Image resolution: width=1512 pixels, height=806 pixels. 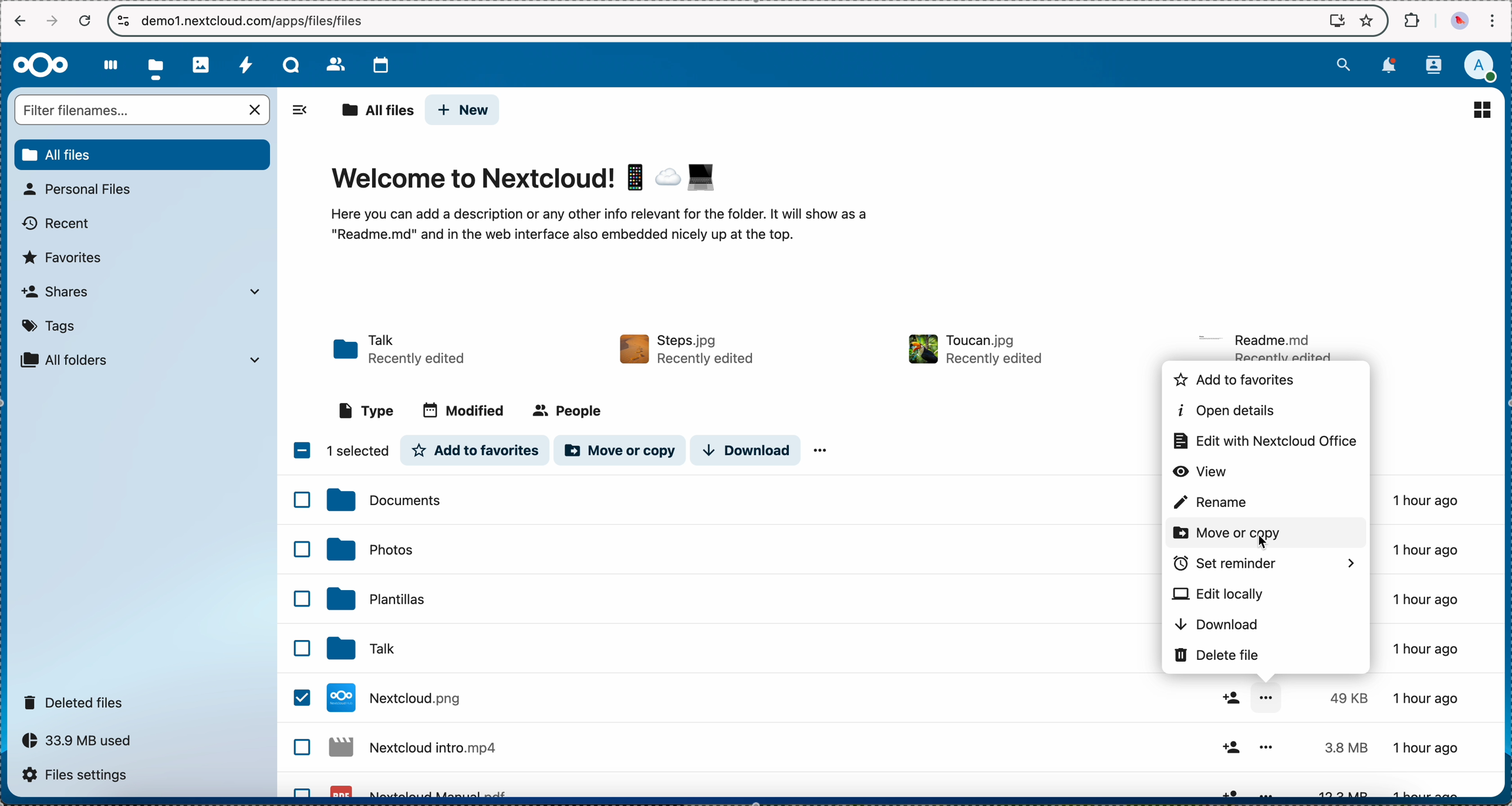 What do you see at coordinates (1230, 409) in the screenshot?
I see `open details` at bounding box center [1230, 409].